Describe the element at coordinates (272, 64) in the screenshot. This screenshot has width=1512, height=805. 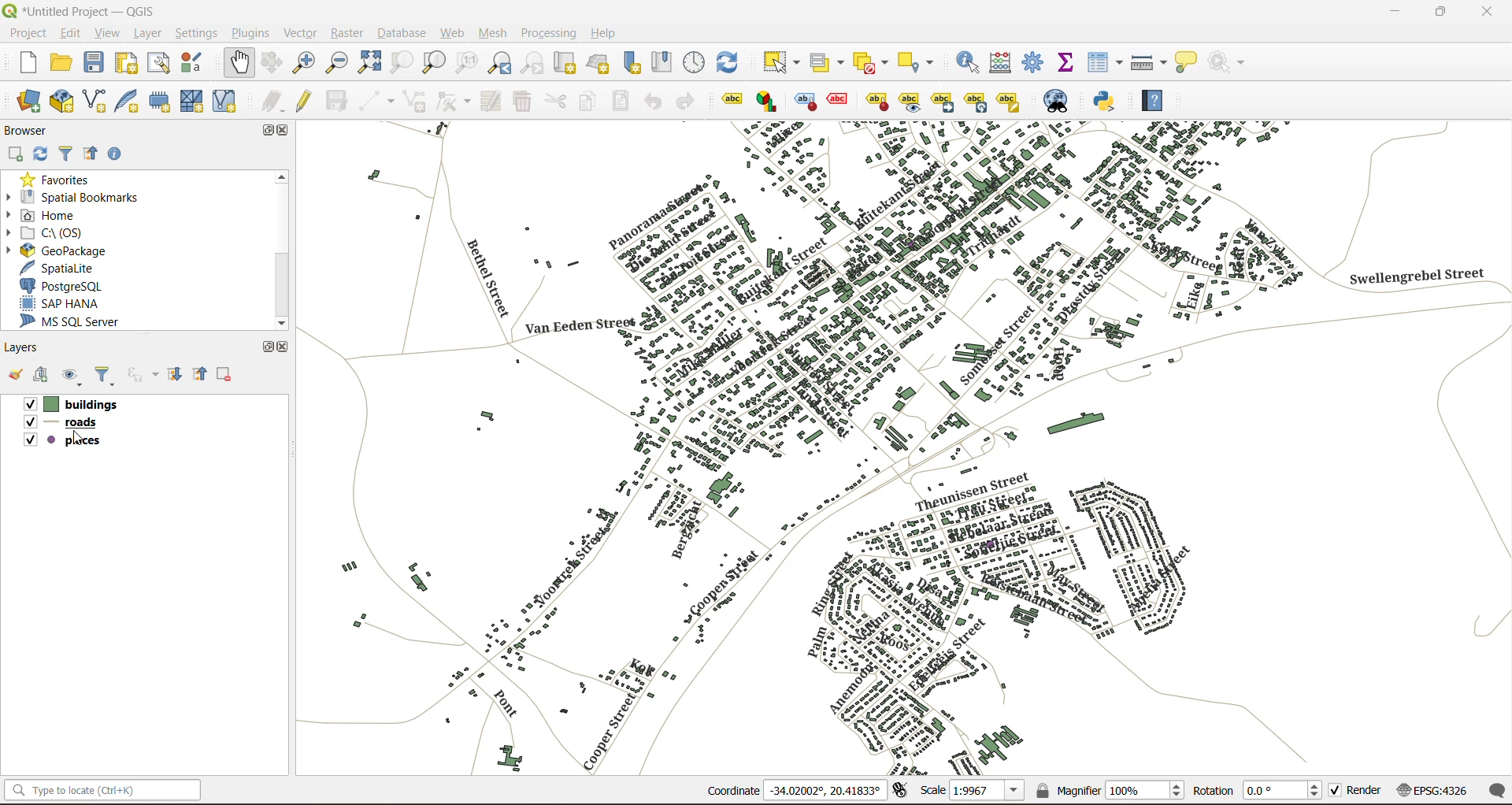
I see `pan to selection` at that location.